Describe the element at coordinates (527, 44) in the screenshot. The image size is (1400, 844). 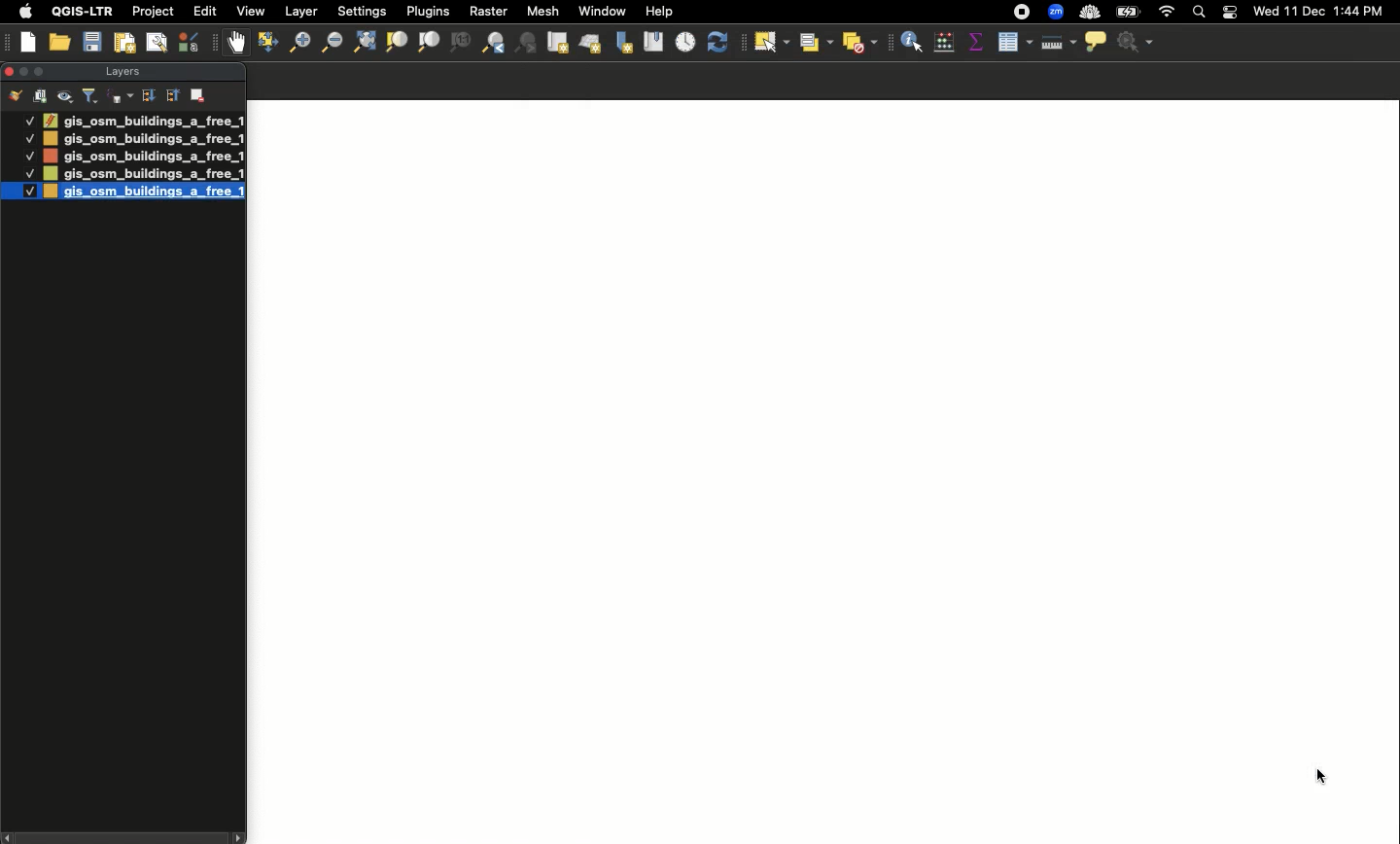
I see `Zoom first` at that location.